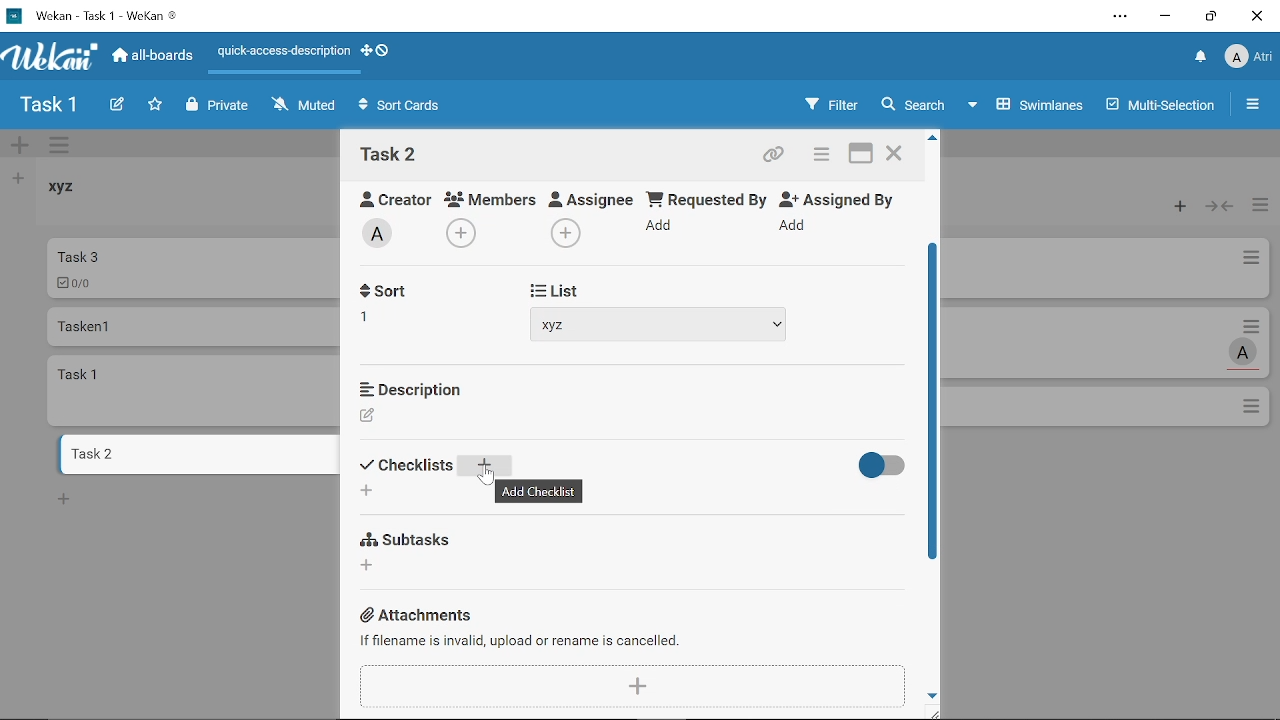 The height and width of the screenshot is (720, 1280). What do you see at coordinates (776, 157) in the screenshot?
I see `Copy card link to clipboard` at bounding box center [776, 157].